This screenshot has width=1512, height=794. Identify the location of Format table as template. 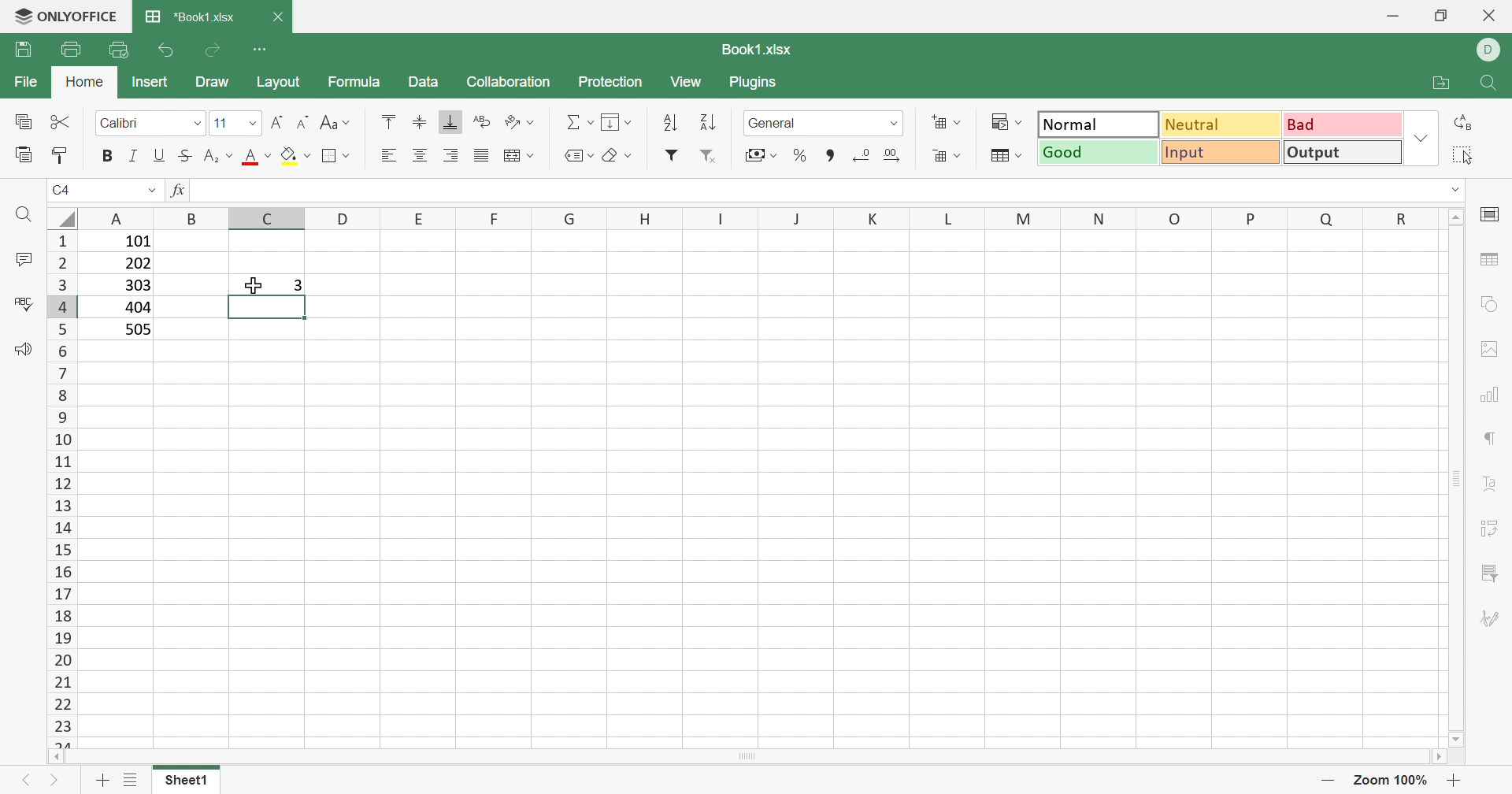
(1007, 160).